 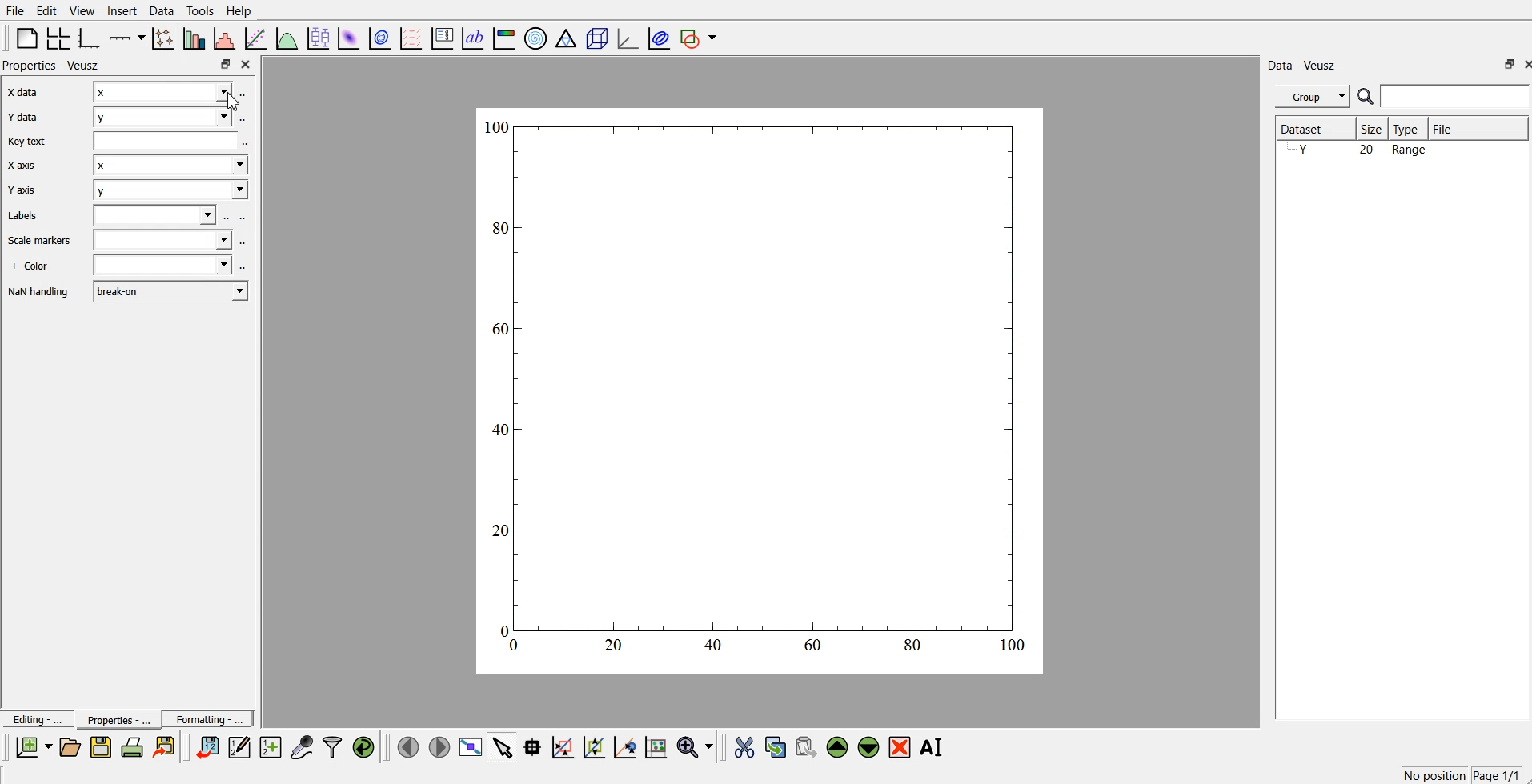 I want to click on Dataset, so click(x=1312, y=129).